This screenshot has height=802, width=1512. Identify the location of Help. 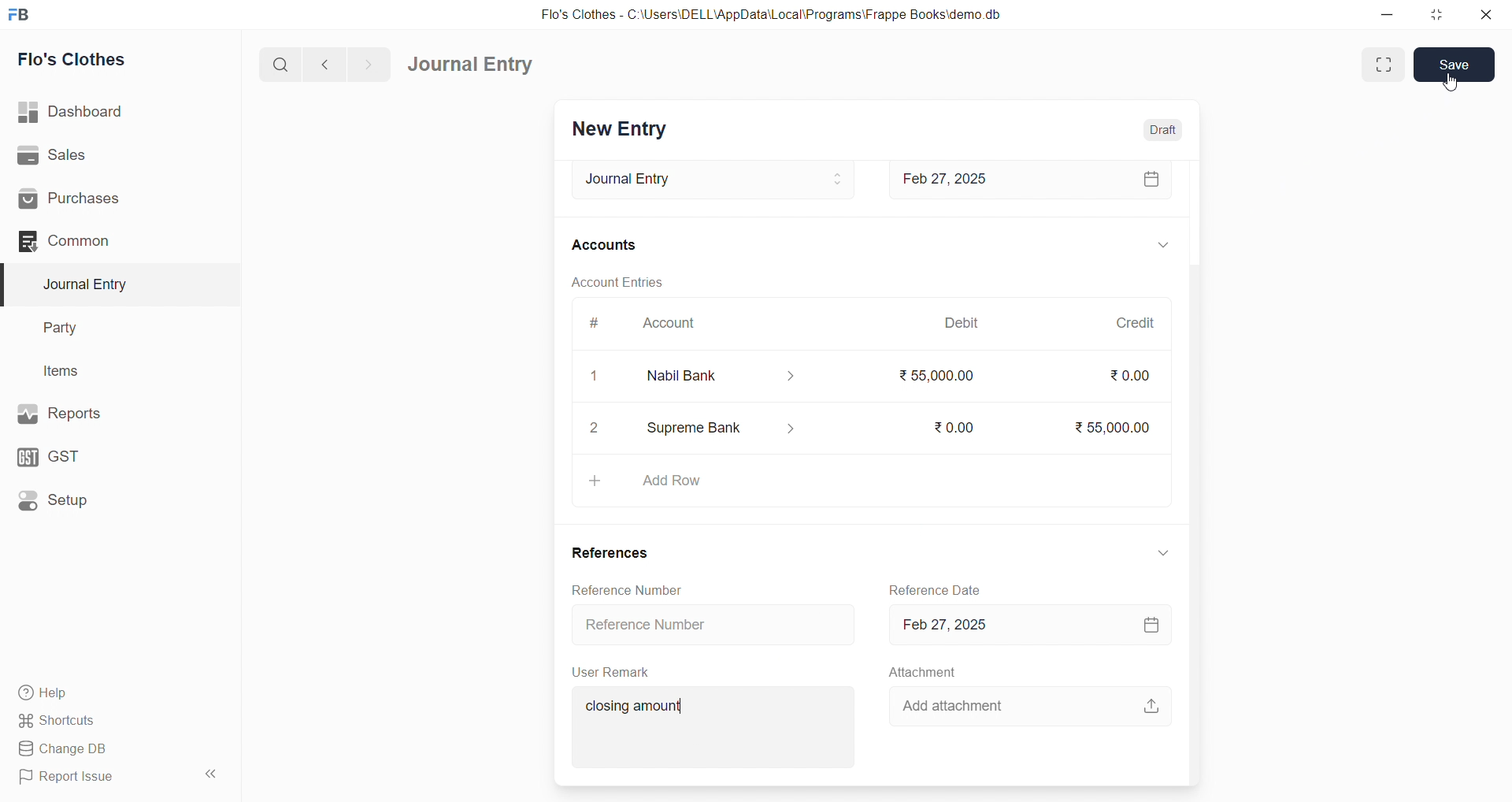
(98, 694).